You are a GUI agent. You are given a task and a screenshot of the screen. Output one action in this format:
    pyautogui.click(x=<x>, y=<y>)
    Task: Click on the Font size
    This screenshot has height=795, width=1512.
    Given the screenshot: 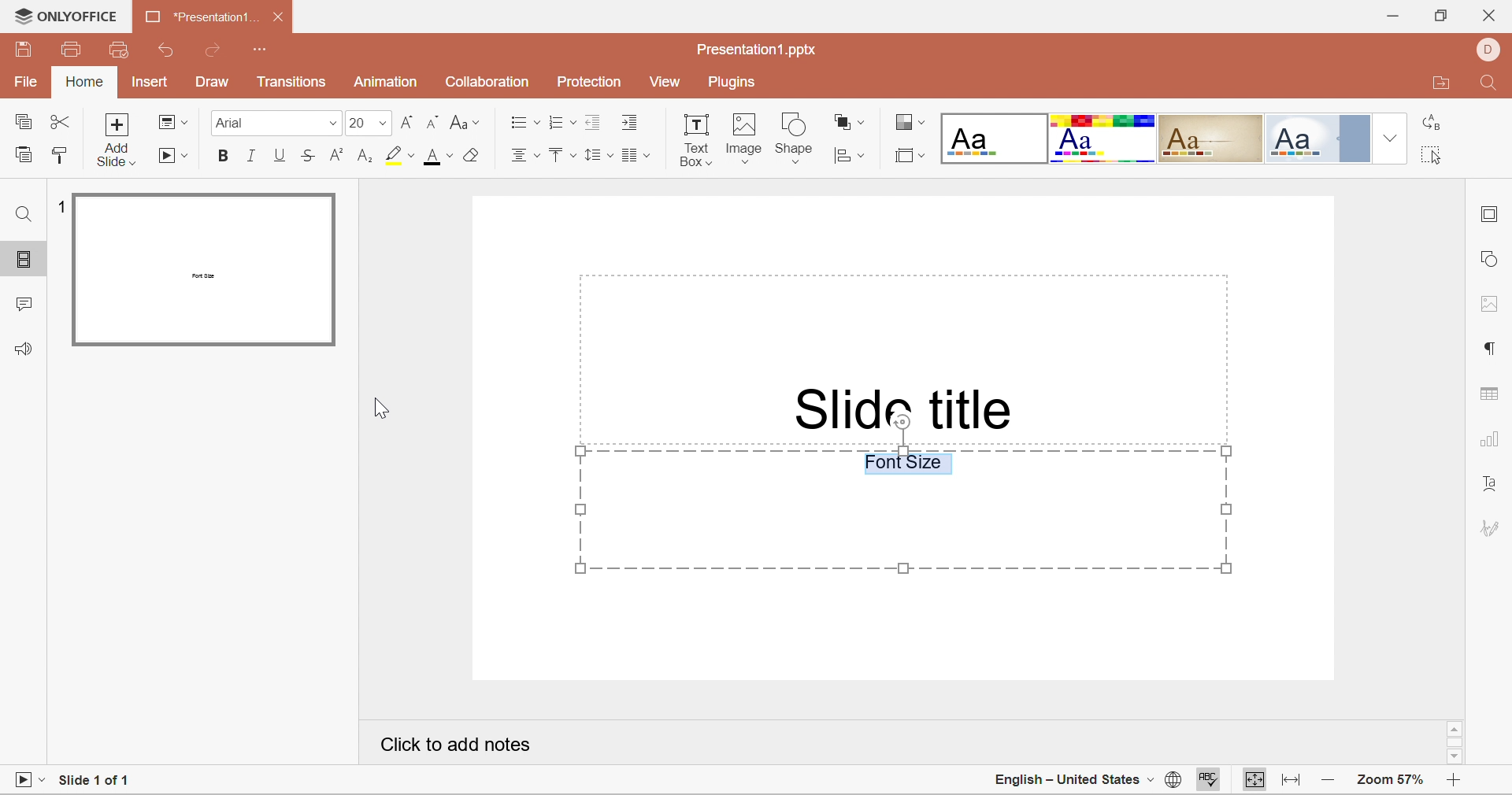 What is the action you would take?
    pyautogui.click(x=452, y=153)
    